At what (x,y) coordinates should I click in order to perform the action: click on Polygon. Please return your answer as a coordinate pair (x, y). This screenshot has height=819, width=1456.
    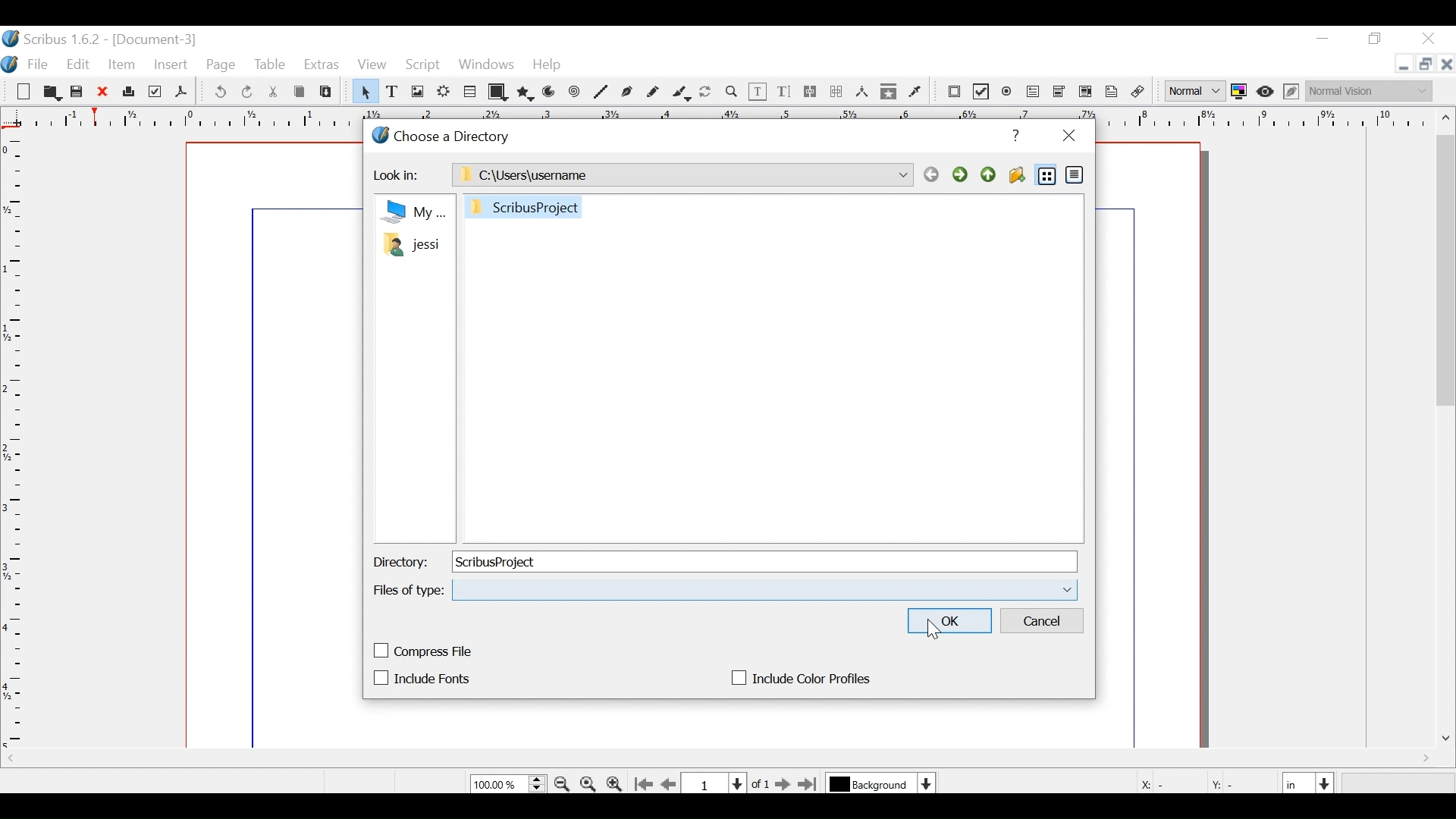
    Looking at the image, I should click on (524, 93).